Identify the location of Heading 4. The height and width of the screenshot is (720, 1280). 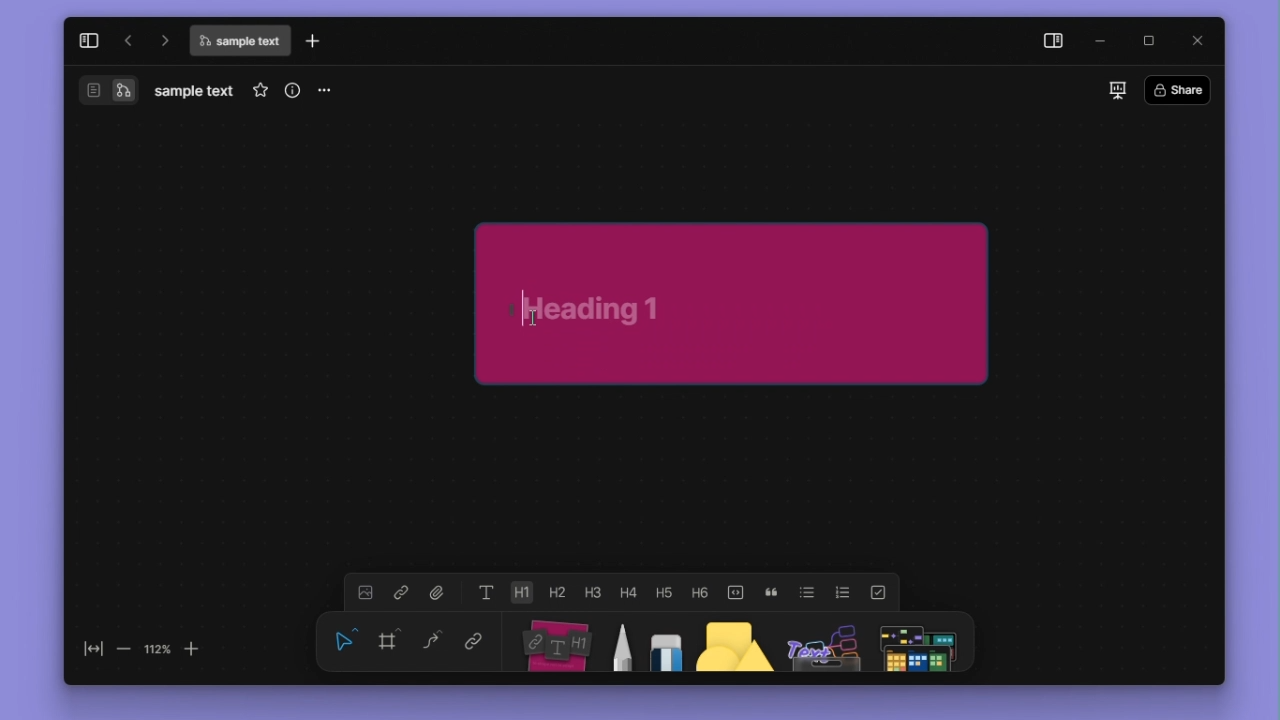
(628, 592).